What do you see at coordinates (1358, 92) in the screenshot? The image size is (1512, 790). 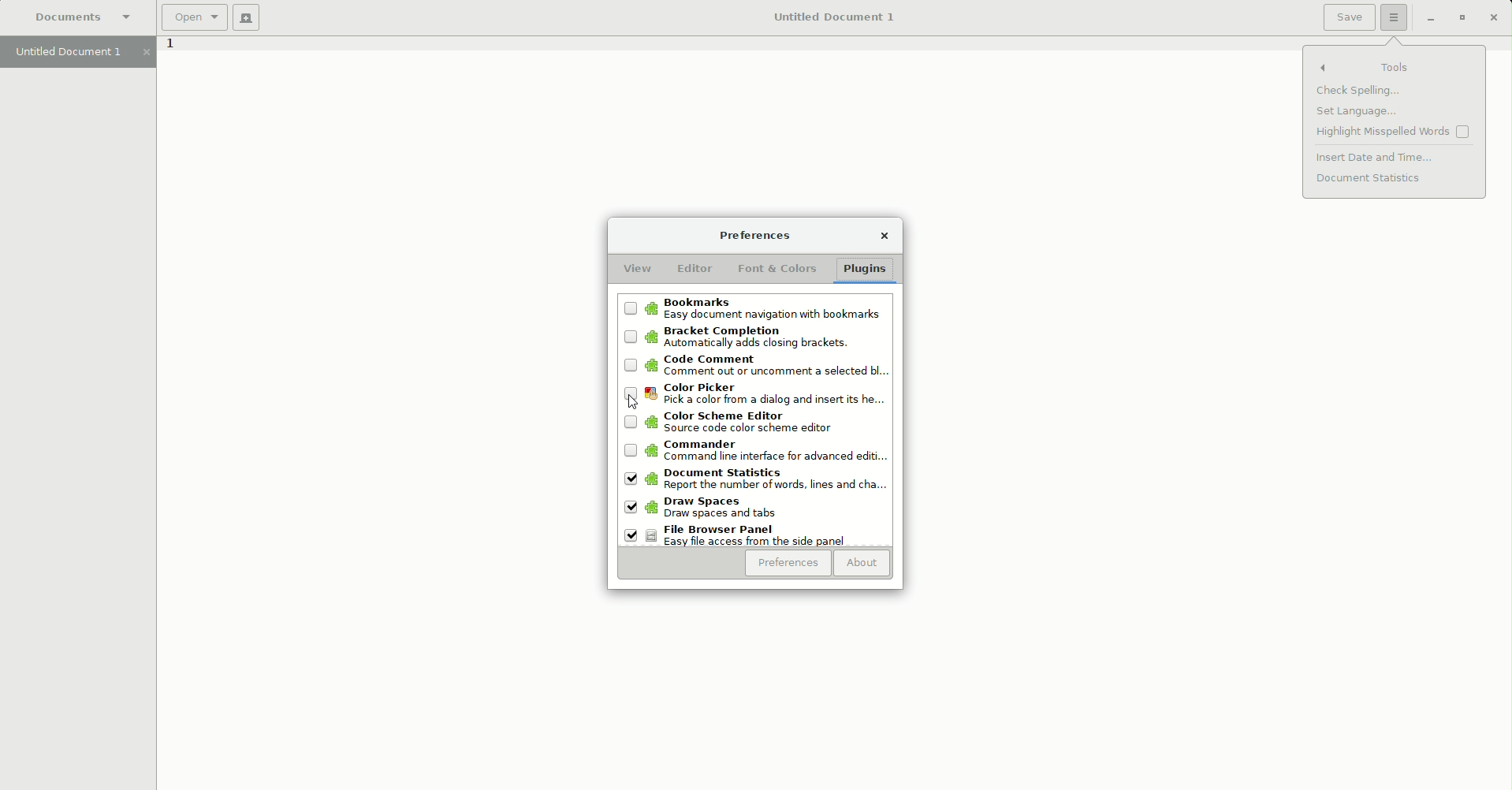 I see `Check spelling` at bounding box center [1358, 92].